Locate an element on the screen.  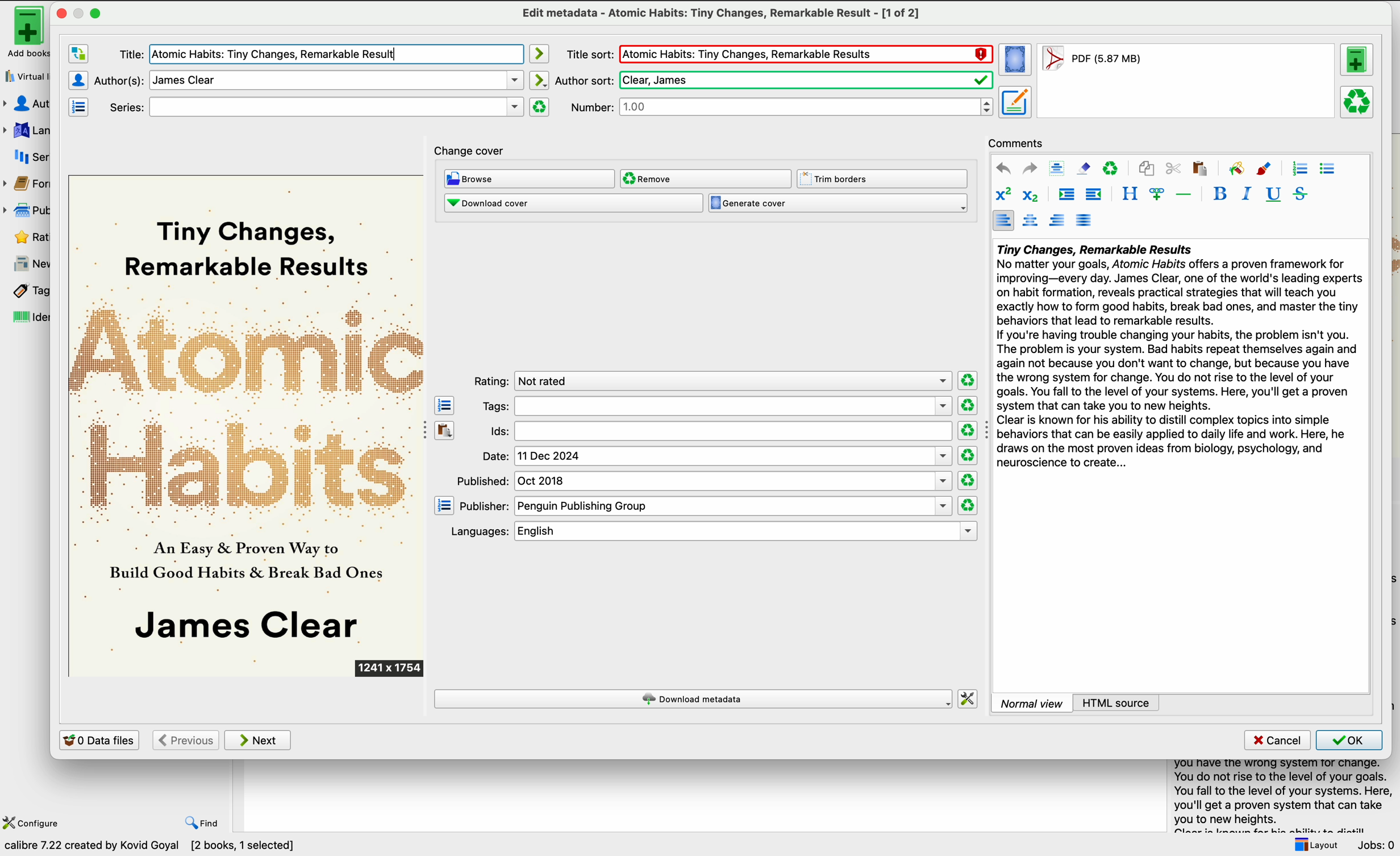
underline is located at coordinates (1274, 195).